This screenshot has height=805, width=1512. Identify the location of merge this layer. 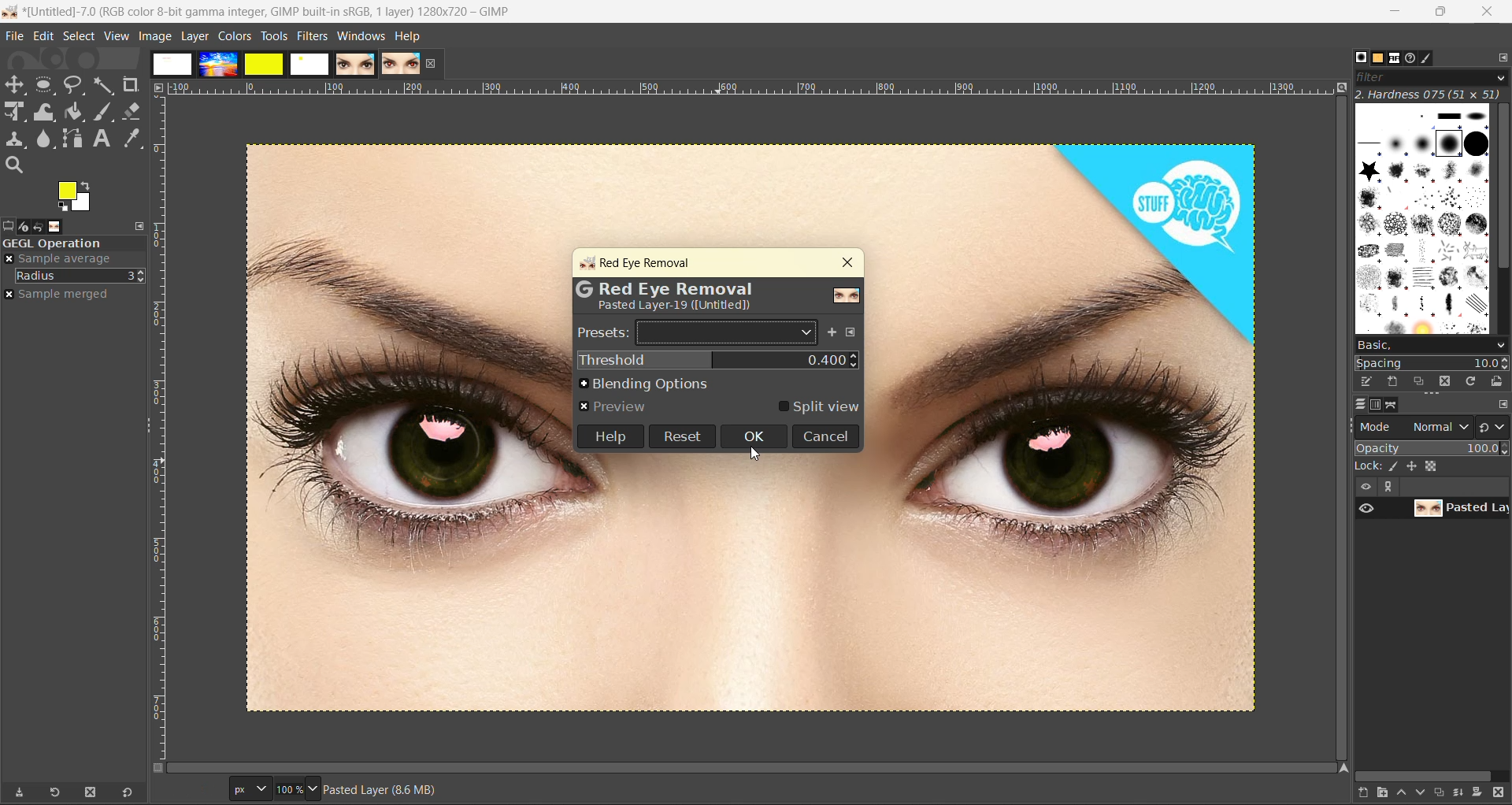
(1461, 793).